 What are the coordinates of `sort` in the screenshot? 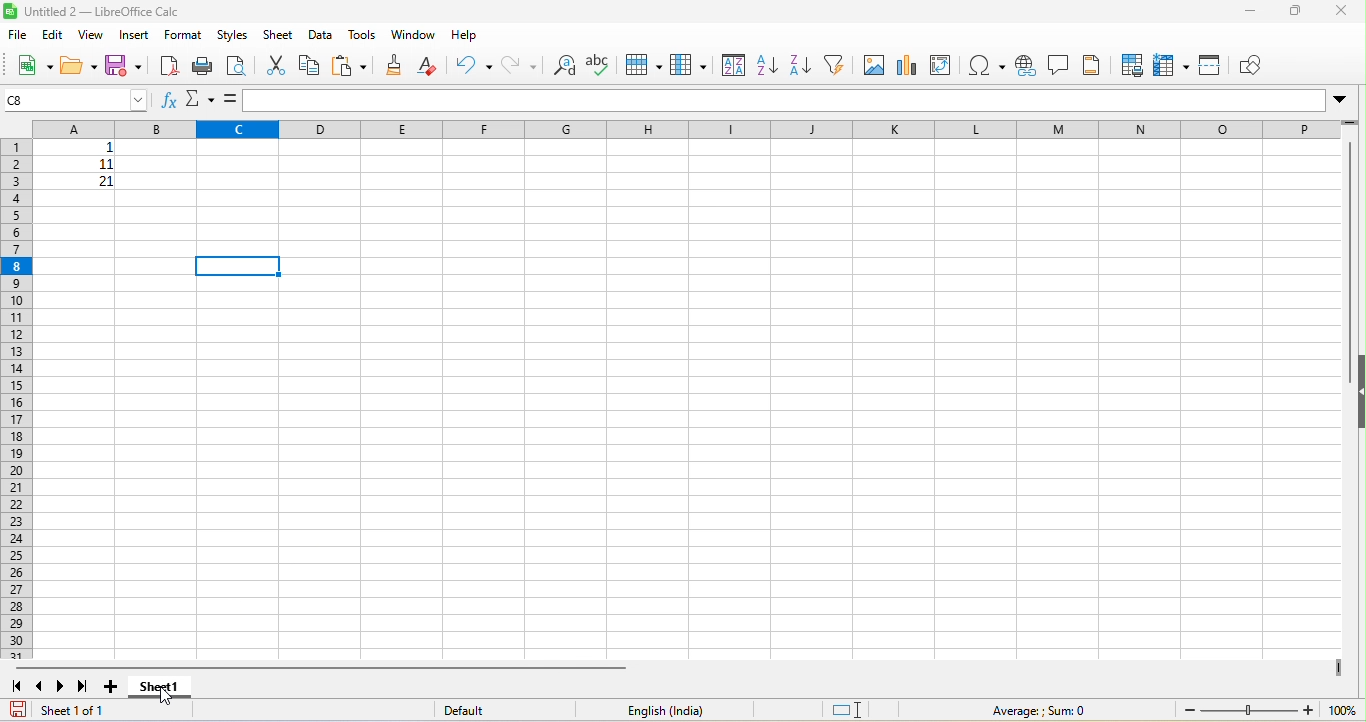 It's located at (733, 64).